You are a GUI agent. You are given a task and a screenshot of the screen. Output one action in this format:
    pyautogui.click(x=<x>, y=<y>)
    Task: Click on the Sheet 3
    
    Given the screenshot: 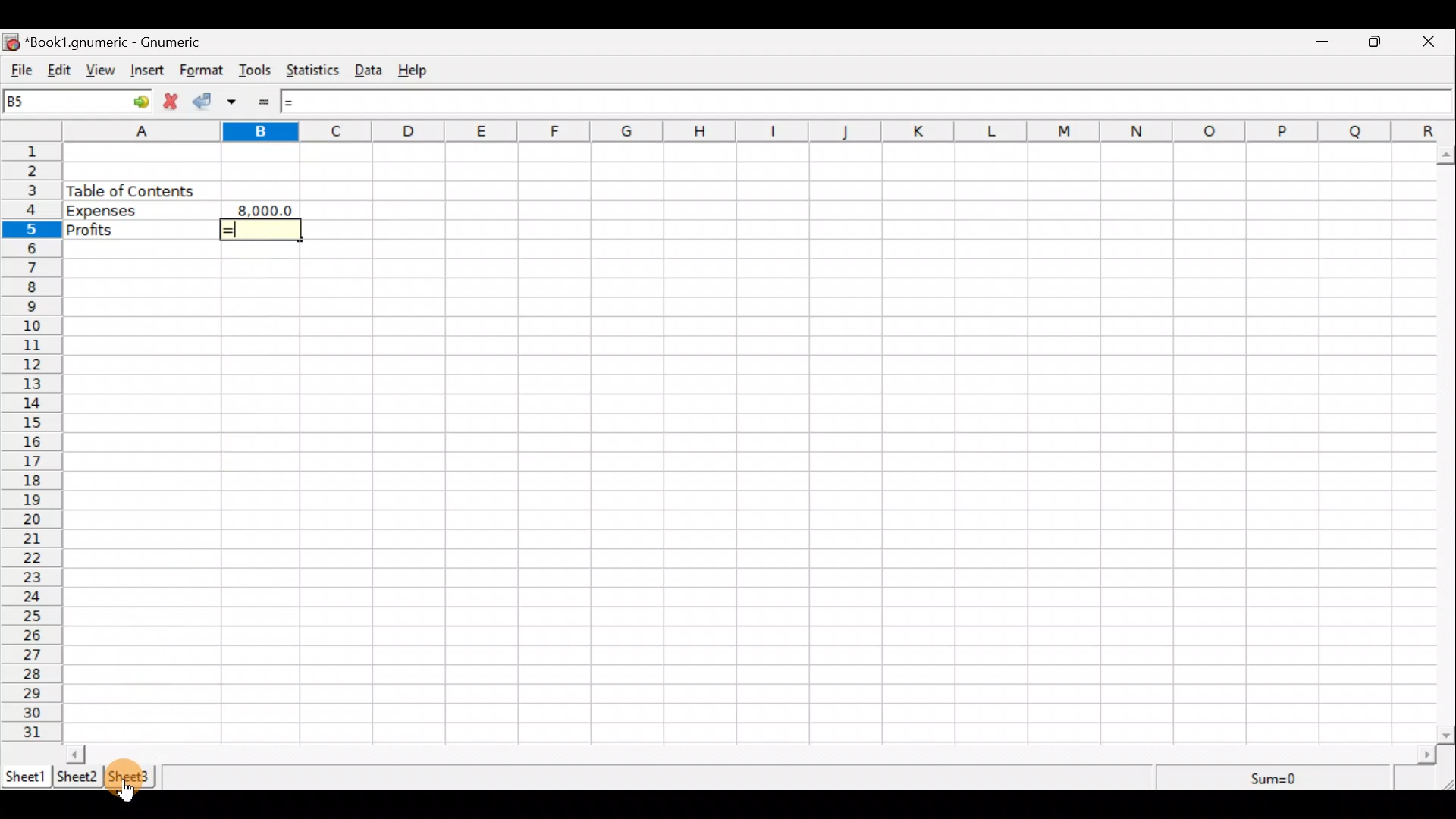 What is the action you would take?
    pyautogui.click(x=132, y=777)
    